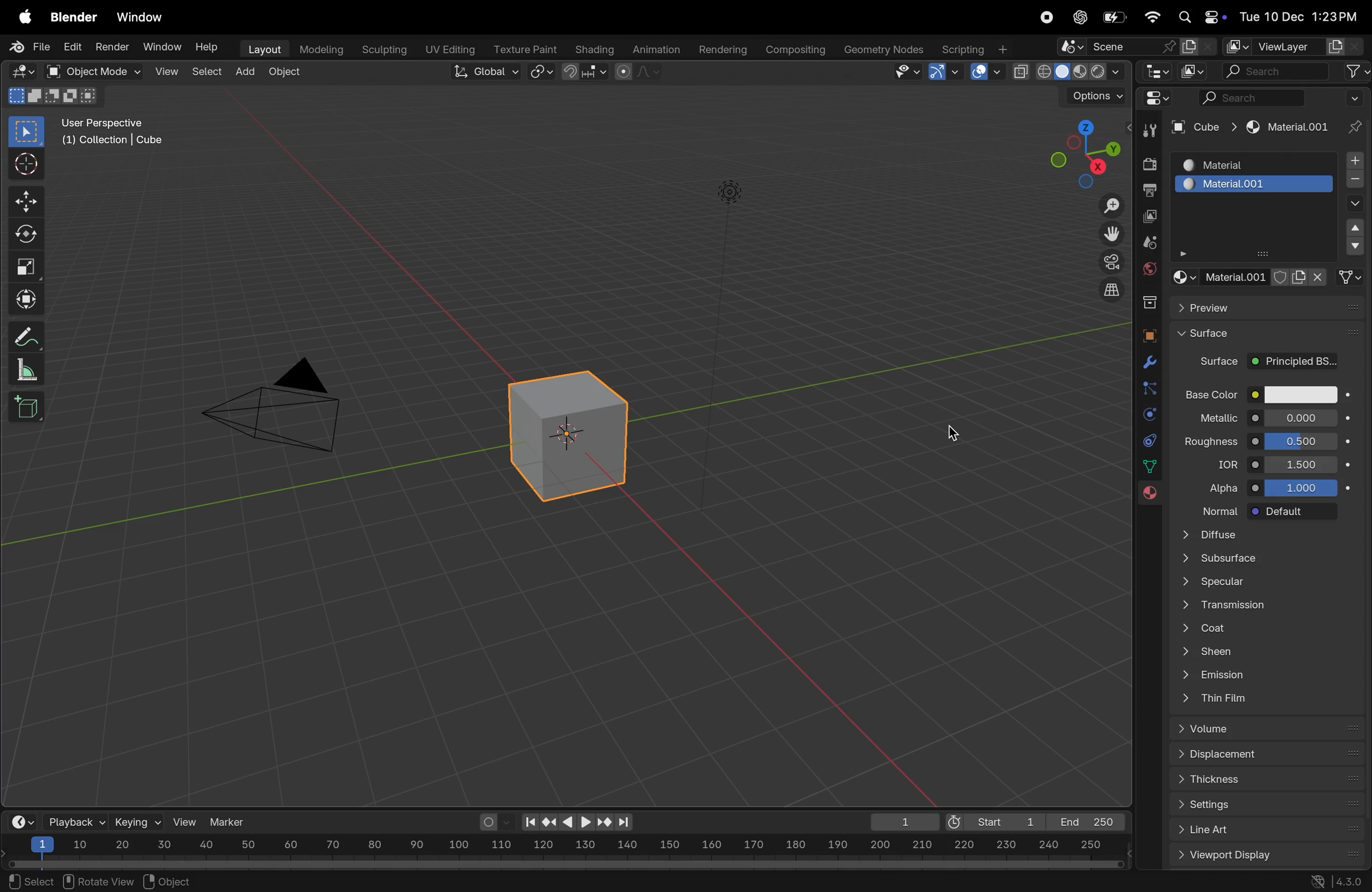 Image resolution: width=1372 pixels, height=892 pixels. Describe the element at coordinates (1304, 463) in the screenshot. I see `1.400` at that location.